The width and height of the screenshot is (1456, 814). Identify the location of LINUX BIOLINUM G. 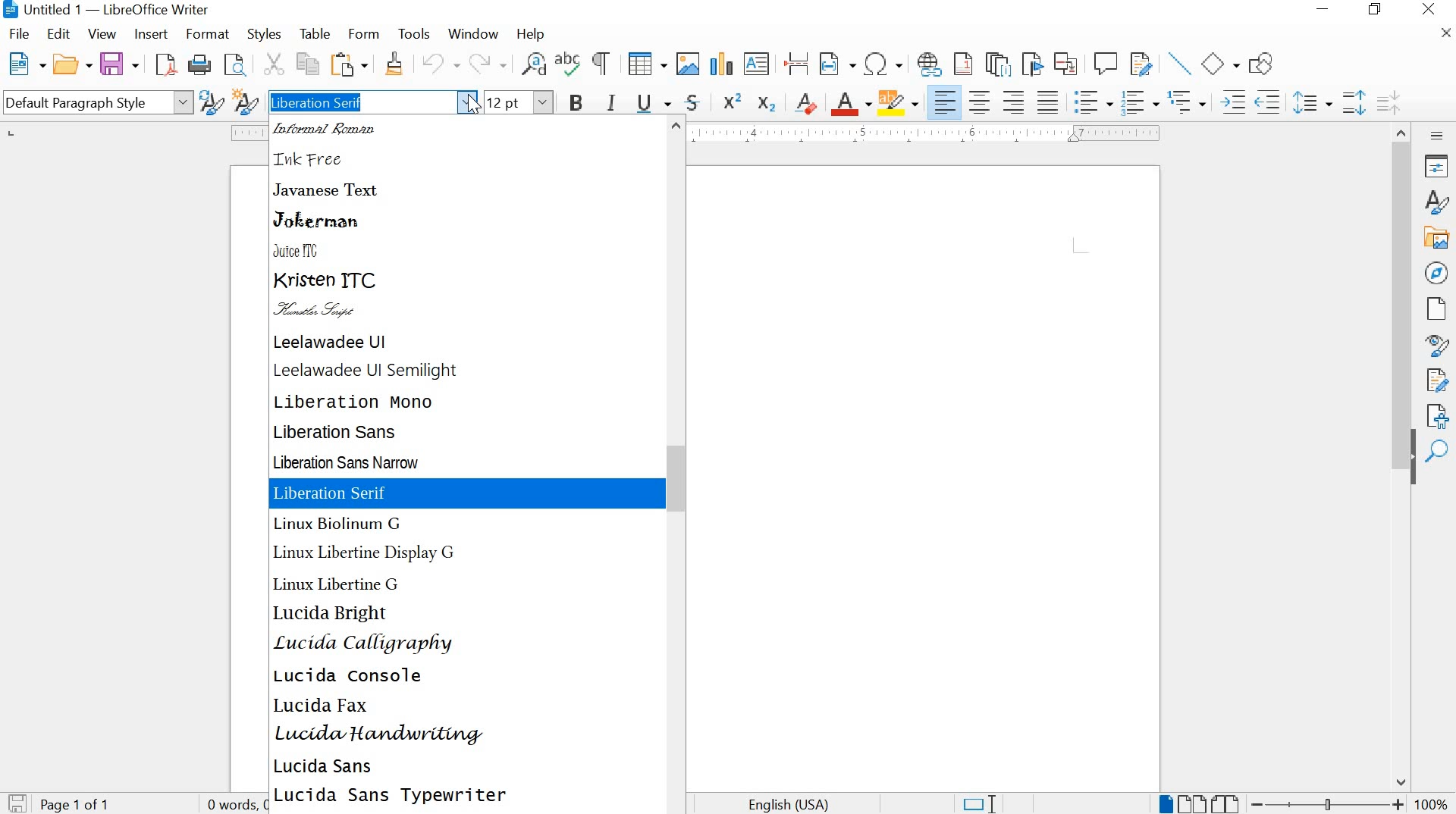
(337, 524).